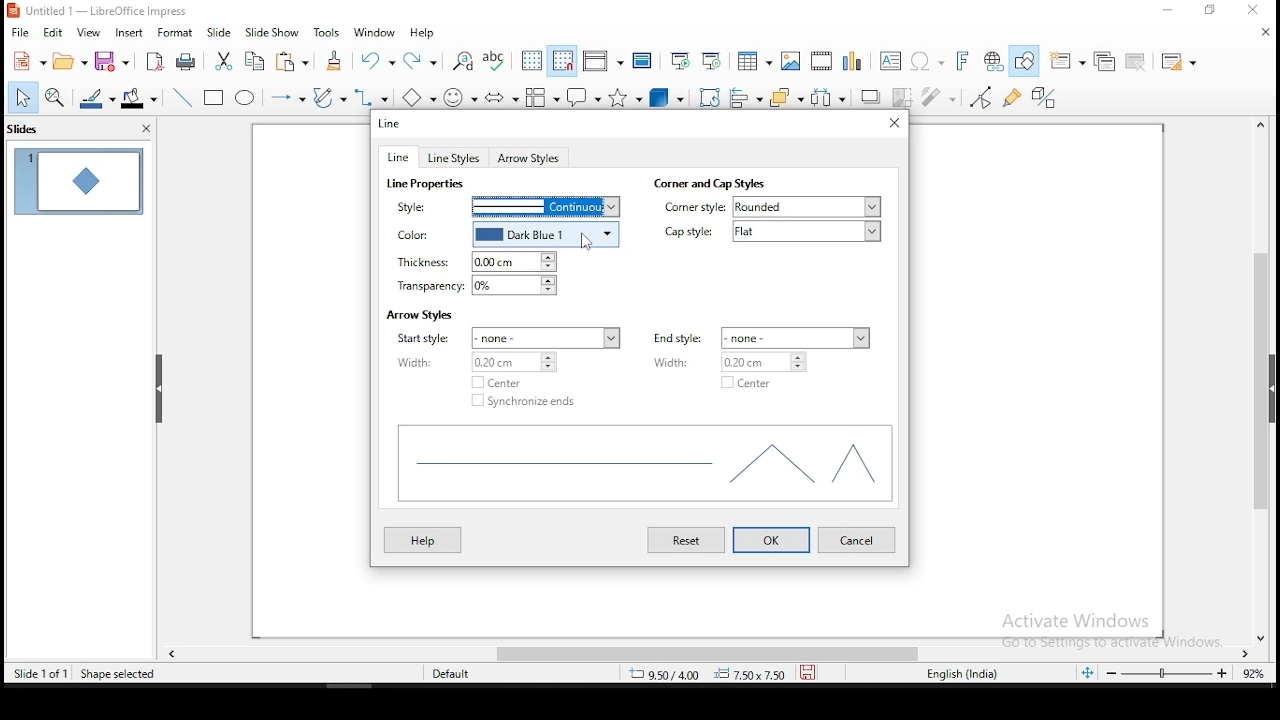 This screenshot has width=1280, height=720. What do you see at coordinates (295, 63) in the screenshot?
I see `paste` at bounding box center [295, 63].